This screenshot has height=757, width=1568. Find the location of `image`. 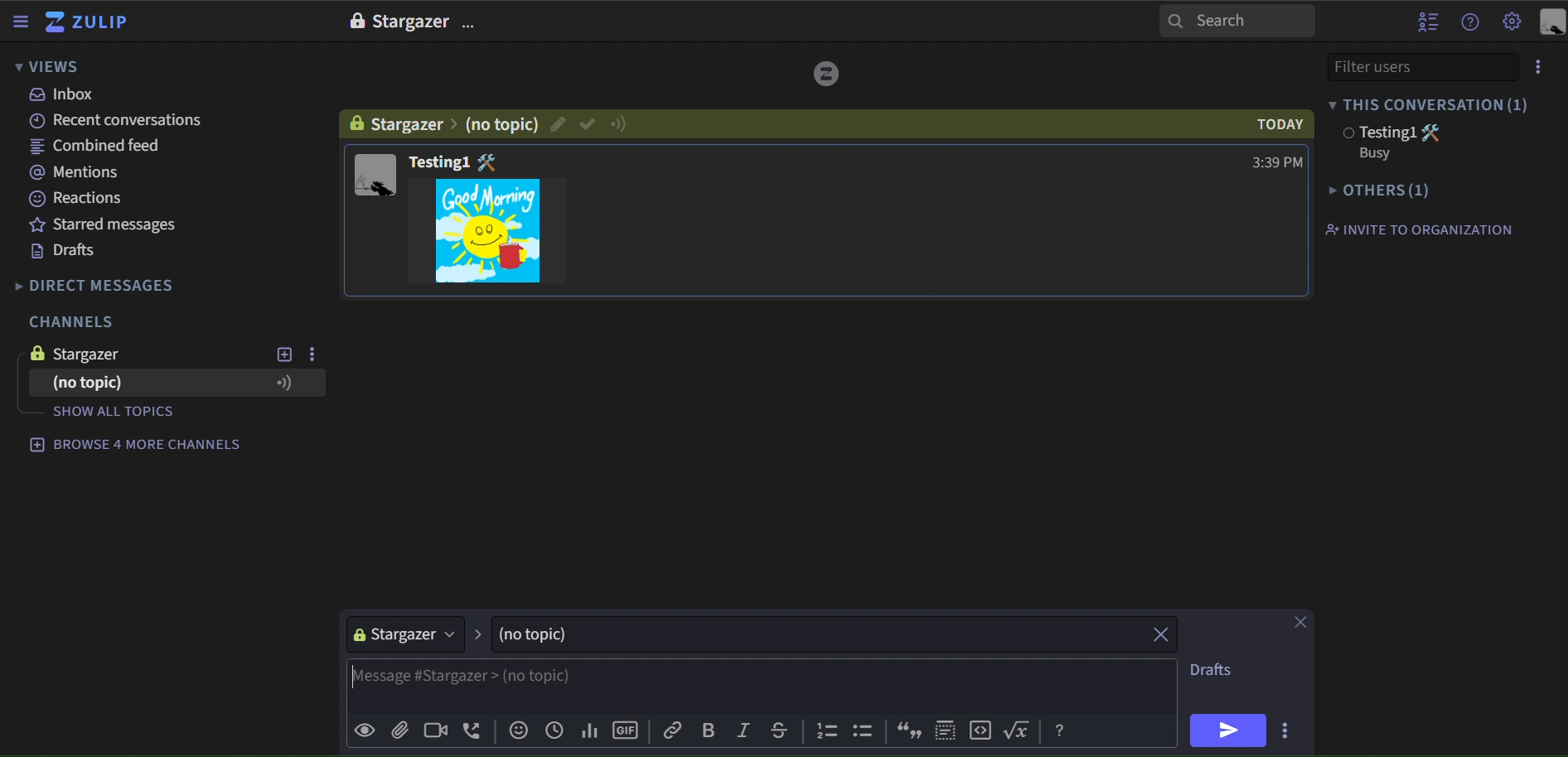

image is located at coordinates (492, 162).